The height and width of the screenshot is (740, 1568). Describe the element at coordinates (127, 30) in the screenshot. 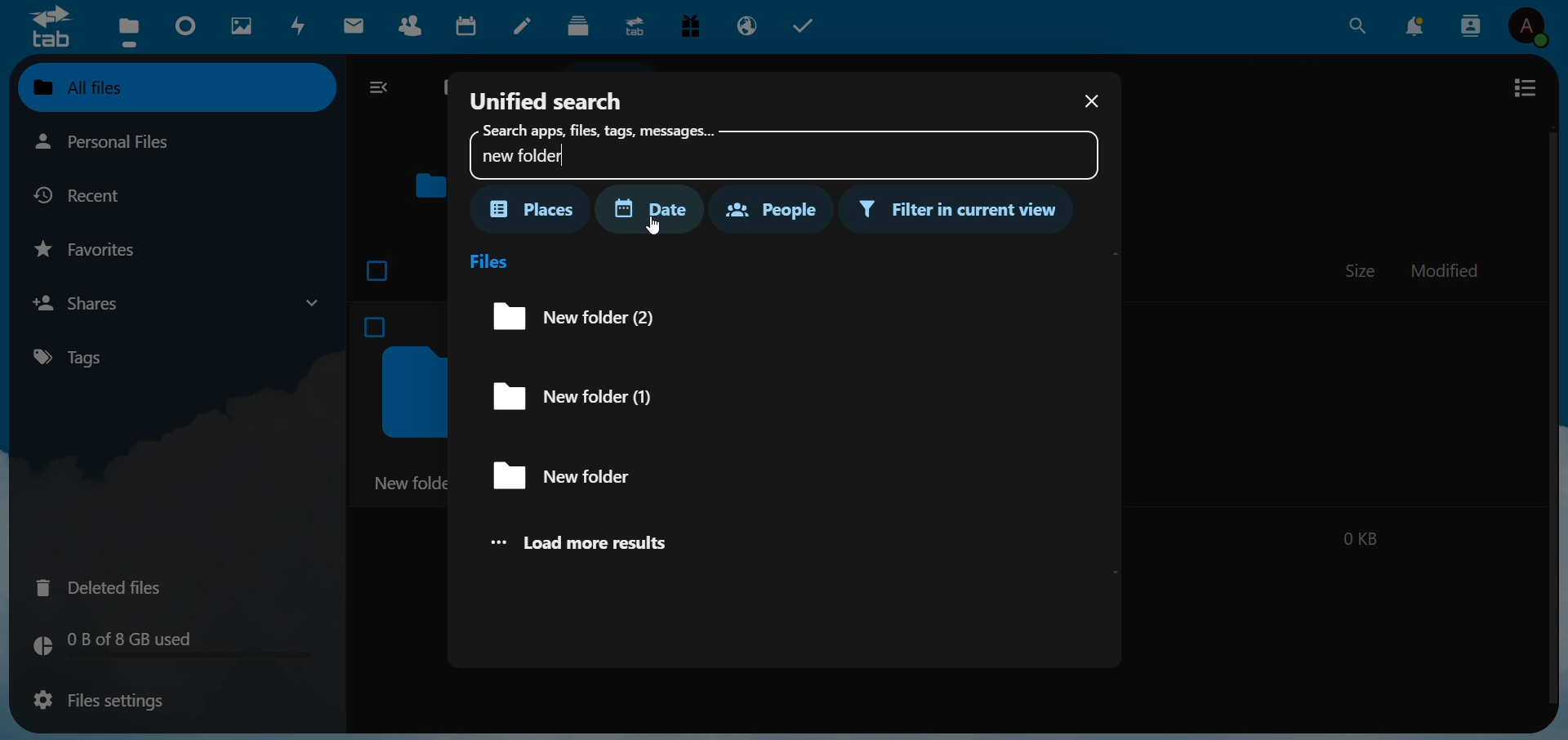

I see `files` at that location.